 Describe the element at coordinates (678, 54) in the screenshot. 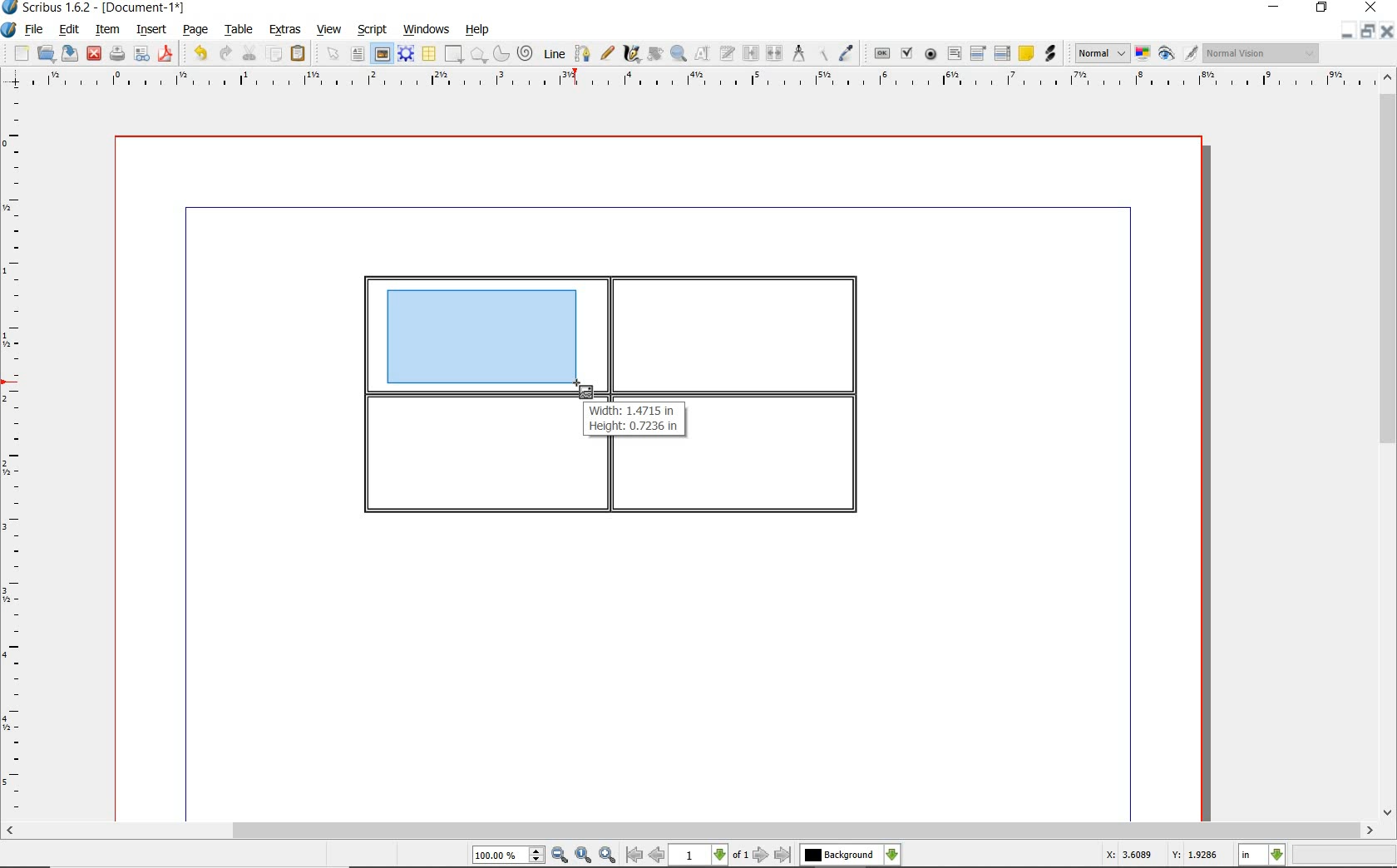

I see `zoom in or out` at that location.